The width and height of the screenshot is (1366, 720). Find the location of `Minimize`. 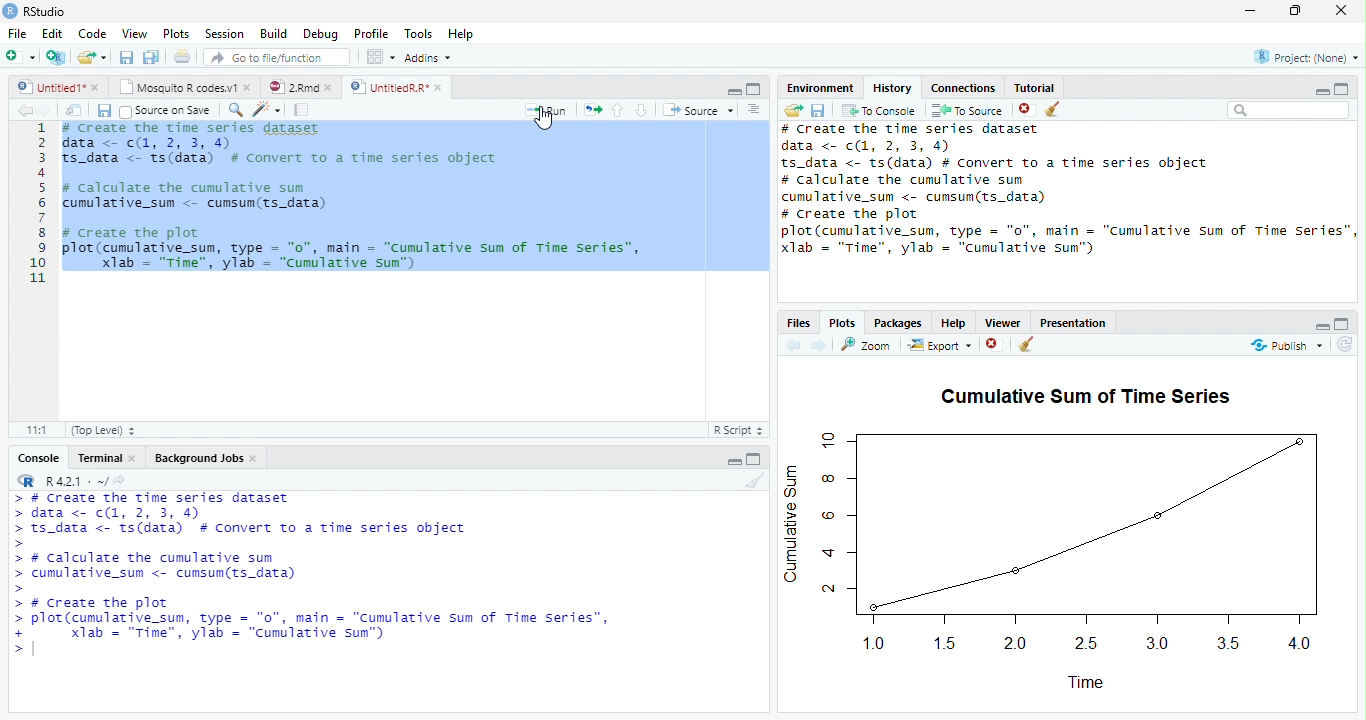

Minimize is located at coordinates (1322, 328).